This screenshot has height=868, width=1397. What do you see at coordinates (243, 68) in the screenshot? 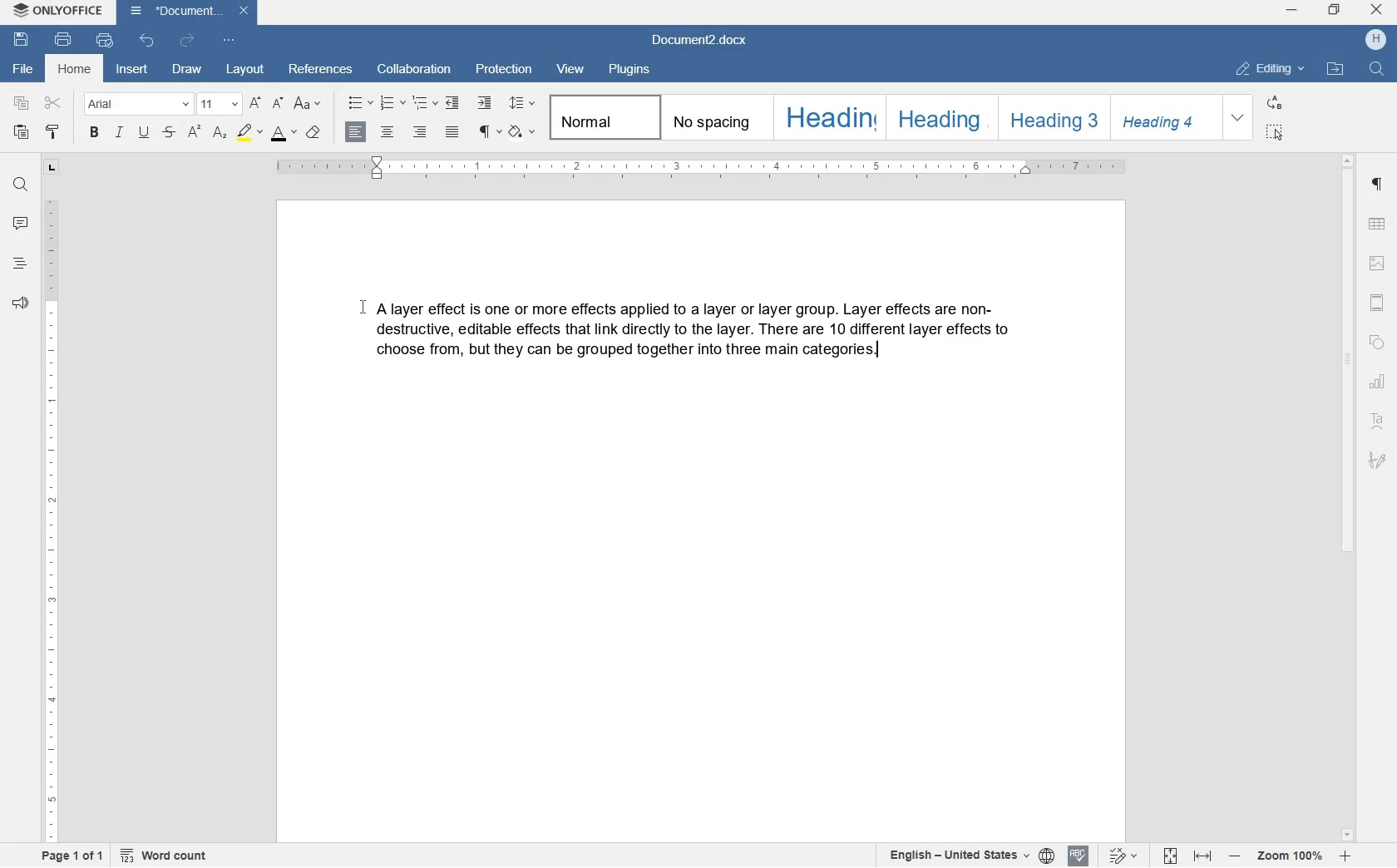
I see `layout` at bounding box center [243, 68].